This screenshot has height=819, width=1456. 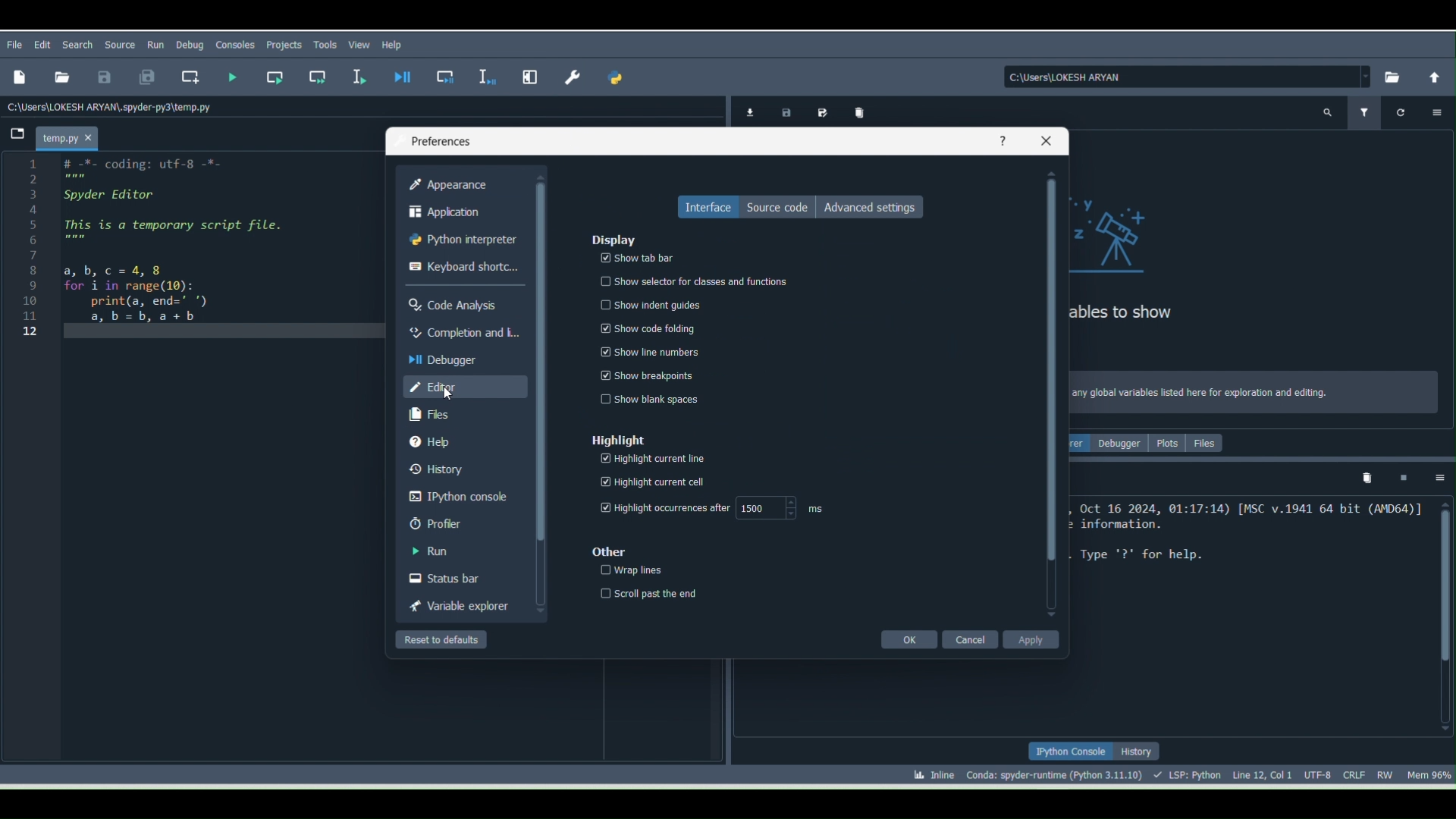 What do you see at coordinates (532, 73) in the screenshot?
I see `Maximize current pane (Ctrl + Alt + Shift + M)` at bounding box center [532, 73].